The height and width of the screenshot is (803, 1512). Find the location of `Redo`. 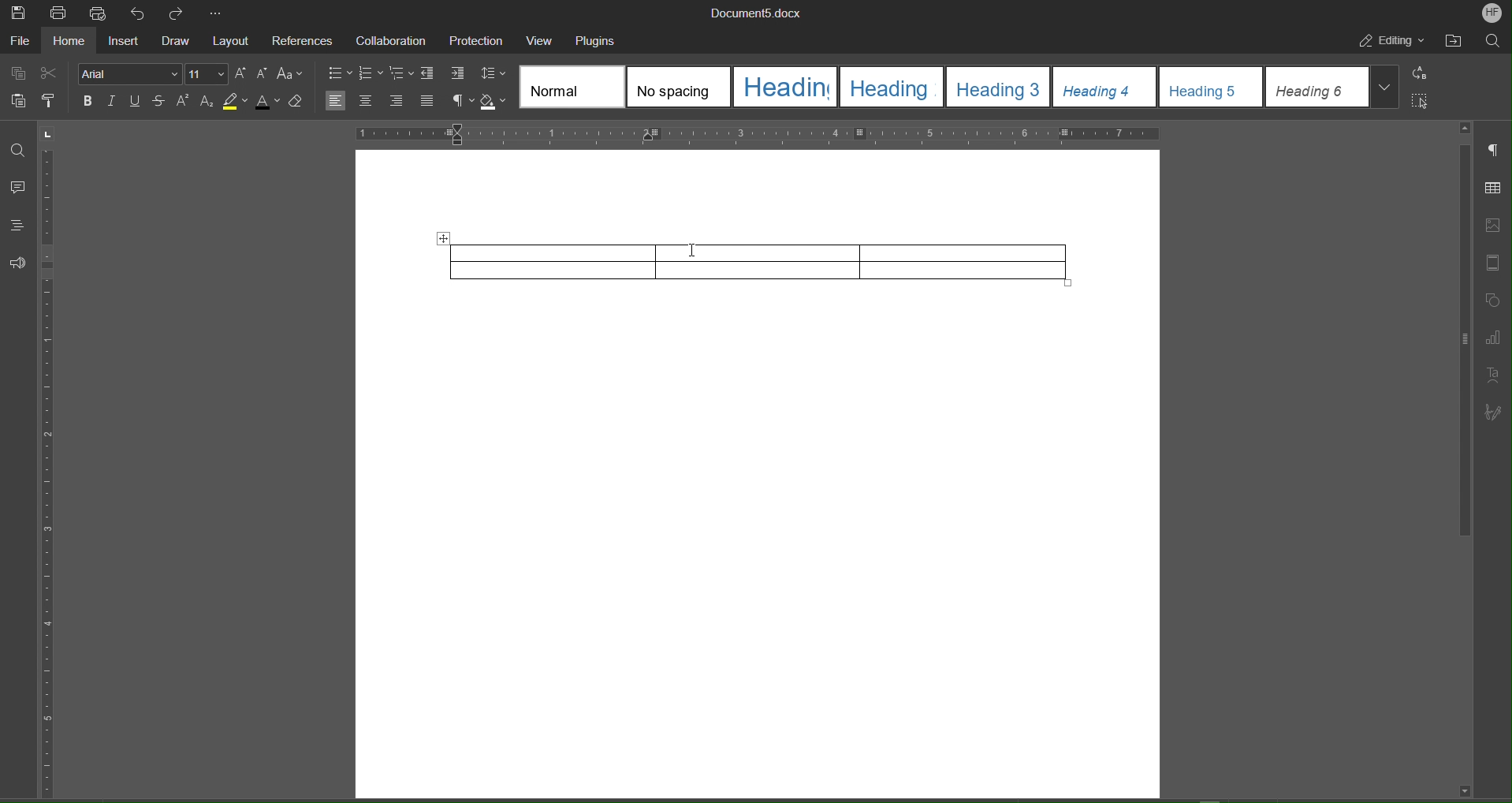

Redo is located at coordinates (182, 13).